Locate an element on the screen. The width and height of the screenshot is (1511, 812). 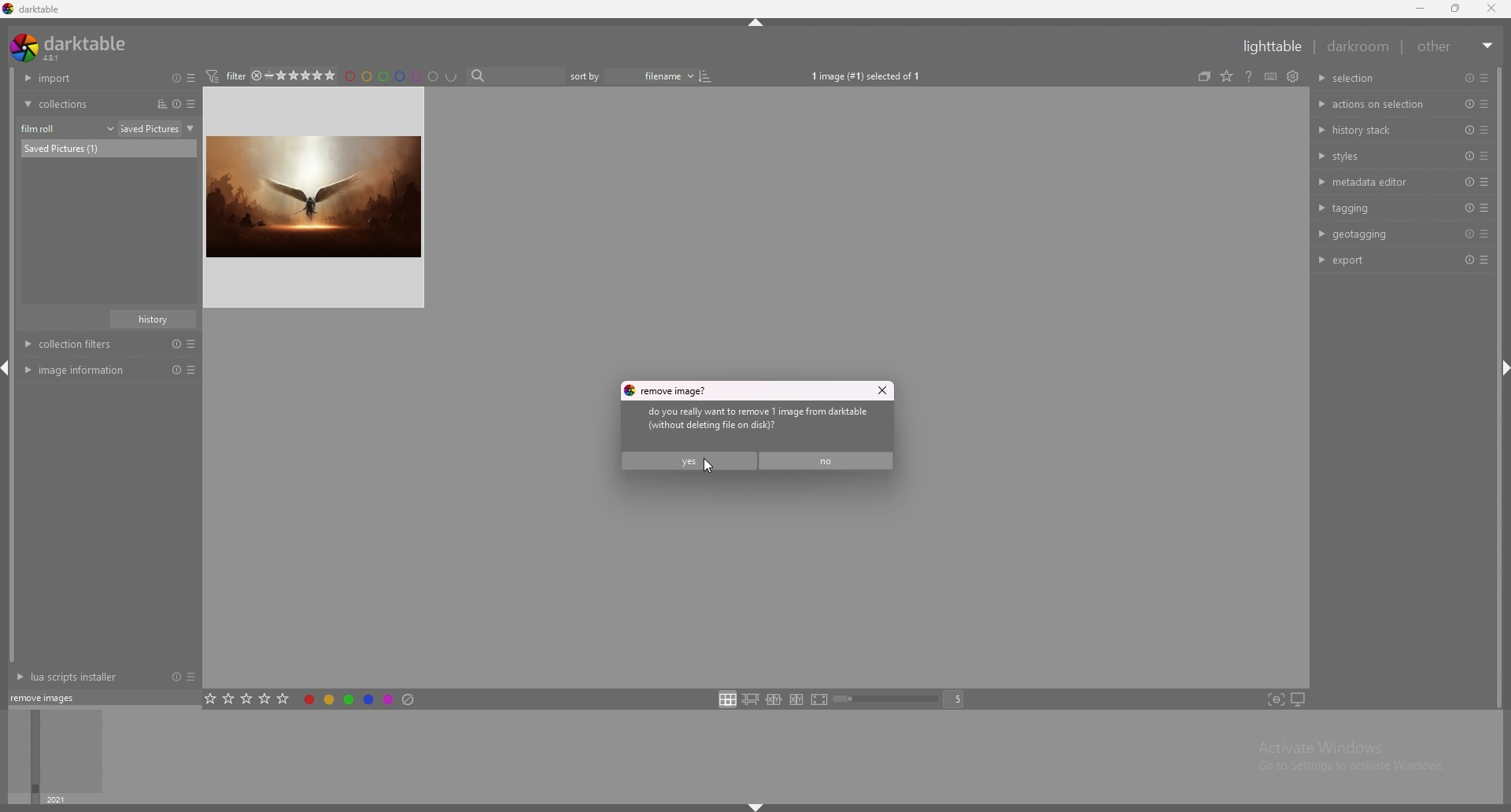
toggle is located at coordinates (716, 76).